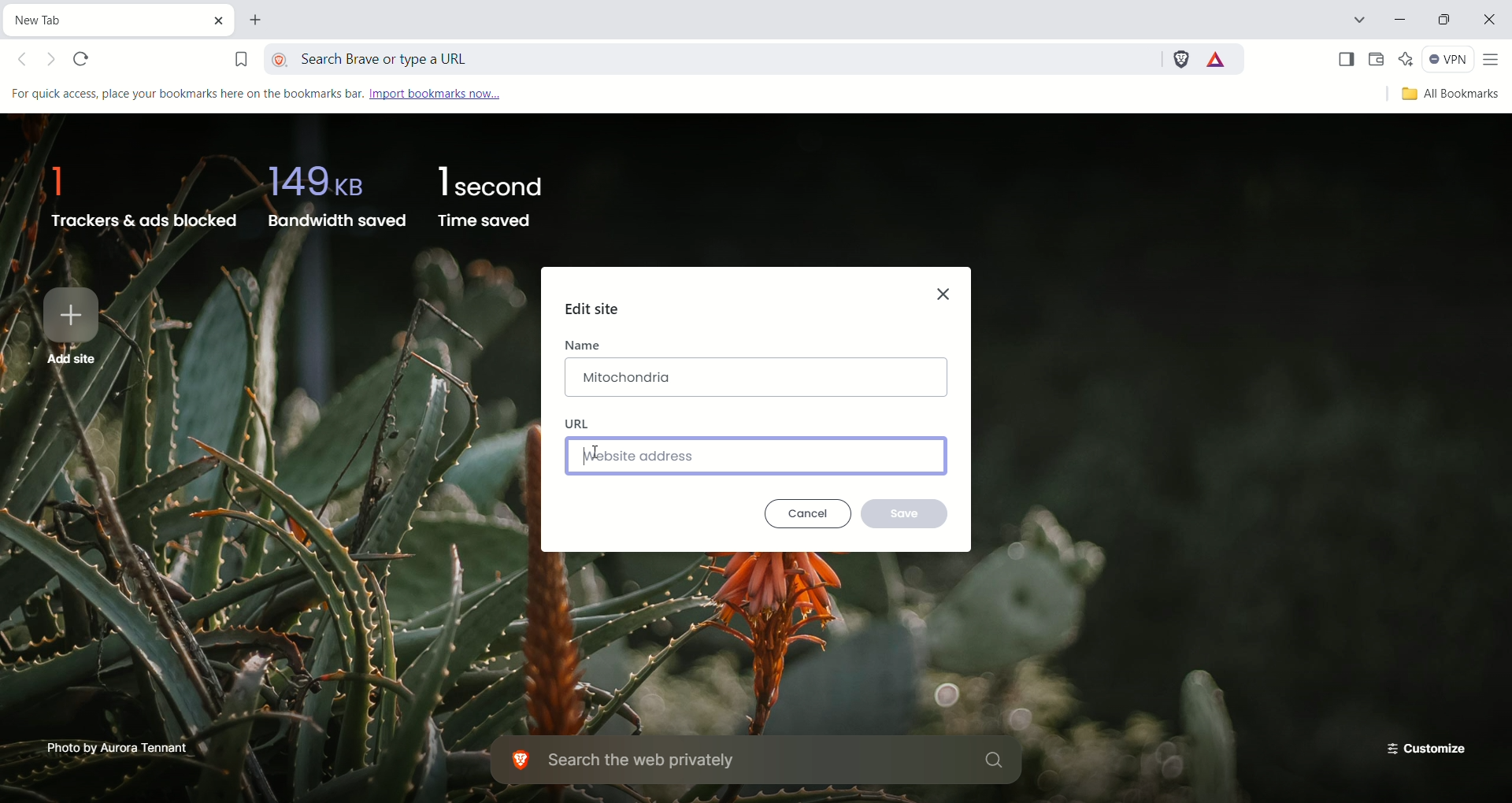 The width and height of the screenshot is (1512, 803). What do you see at coordinates (106, 18) in the screenshot?
I see `current tab` at bounding box center [106, 18].